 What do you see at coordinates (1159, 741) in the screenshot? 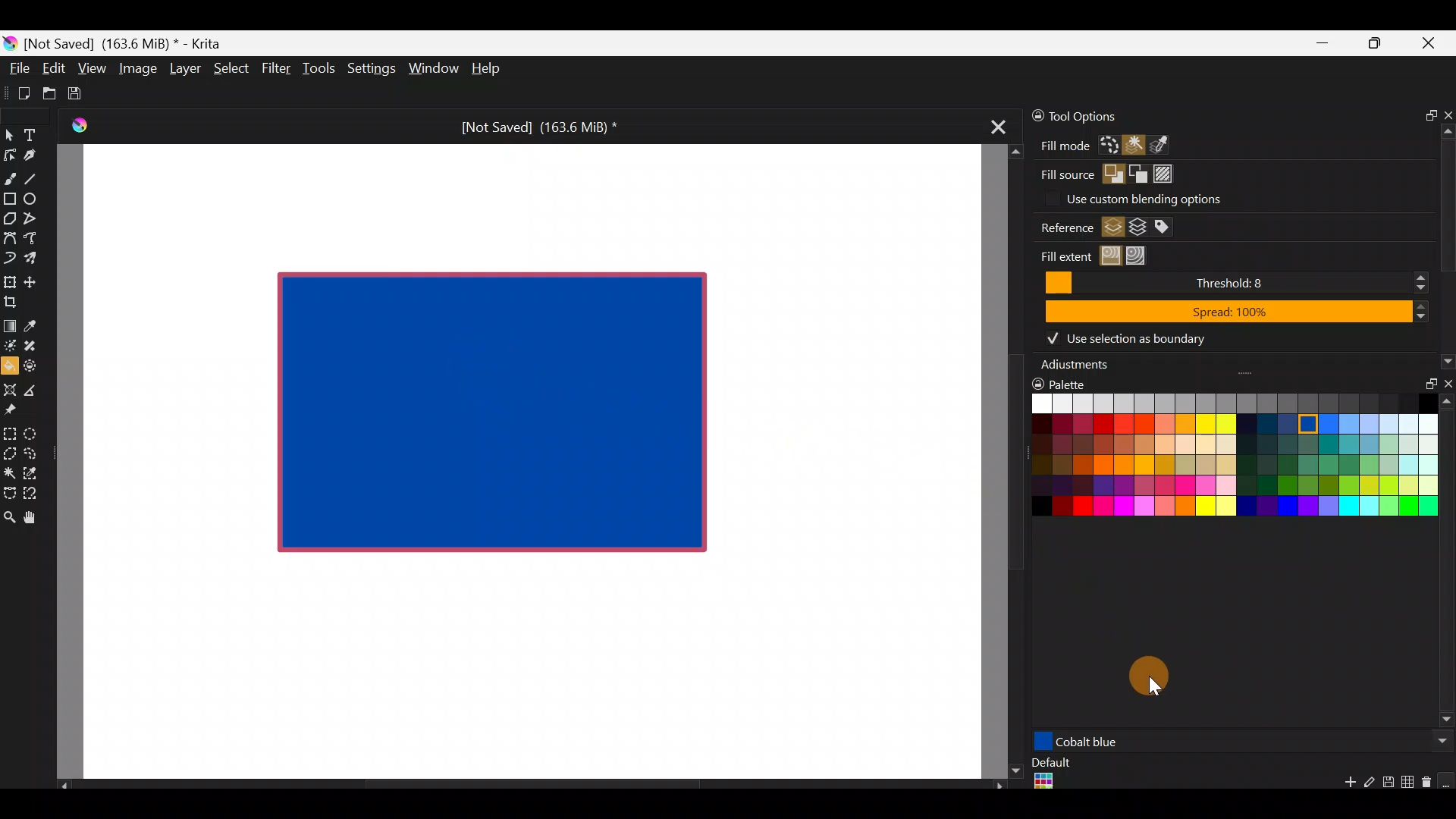
I see `Purple color` at bounding box center [1159, 741].